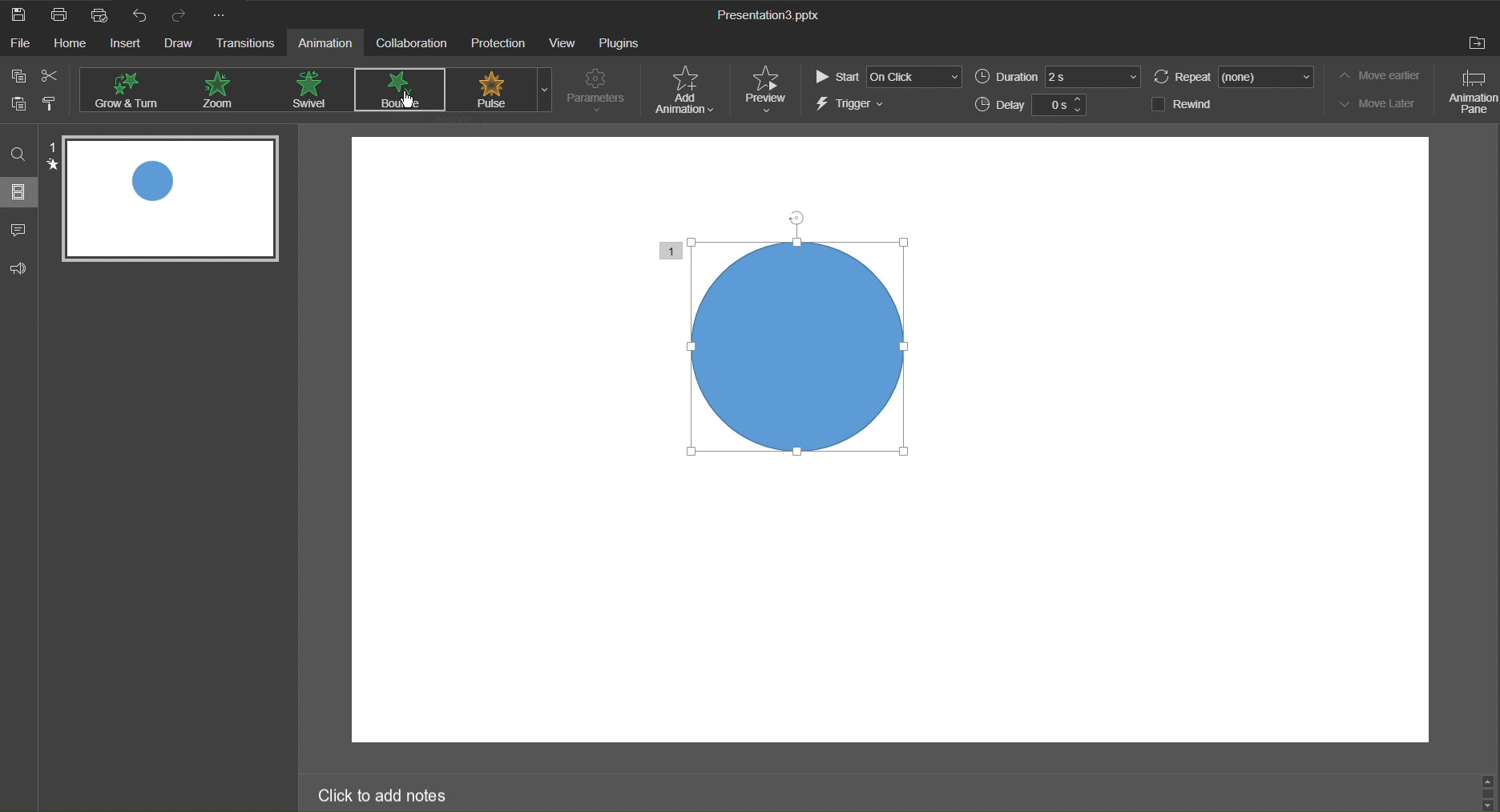 This screenshot has width=1500, height=812. What do you see at coordinates (412, 44) in the screenshot?
I see `Collaboration` at bounding box center [412, 44].